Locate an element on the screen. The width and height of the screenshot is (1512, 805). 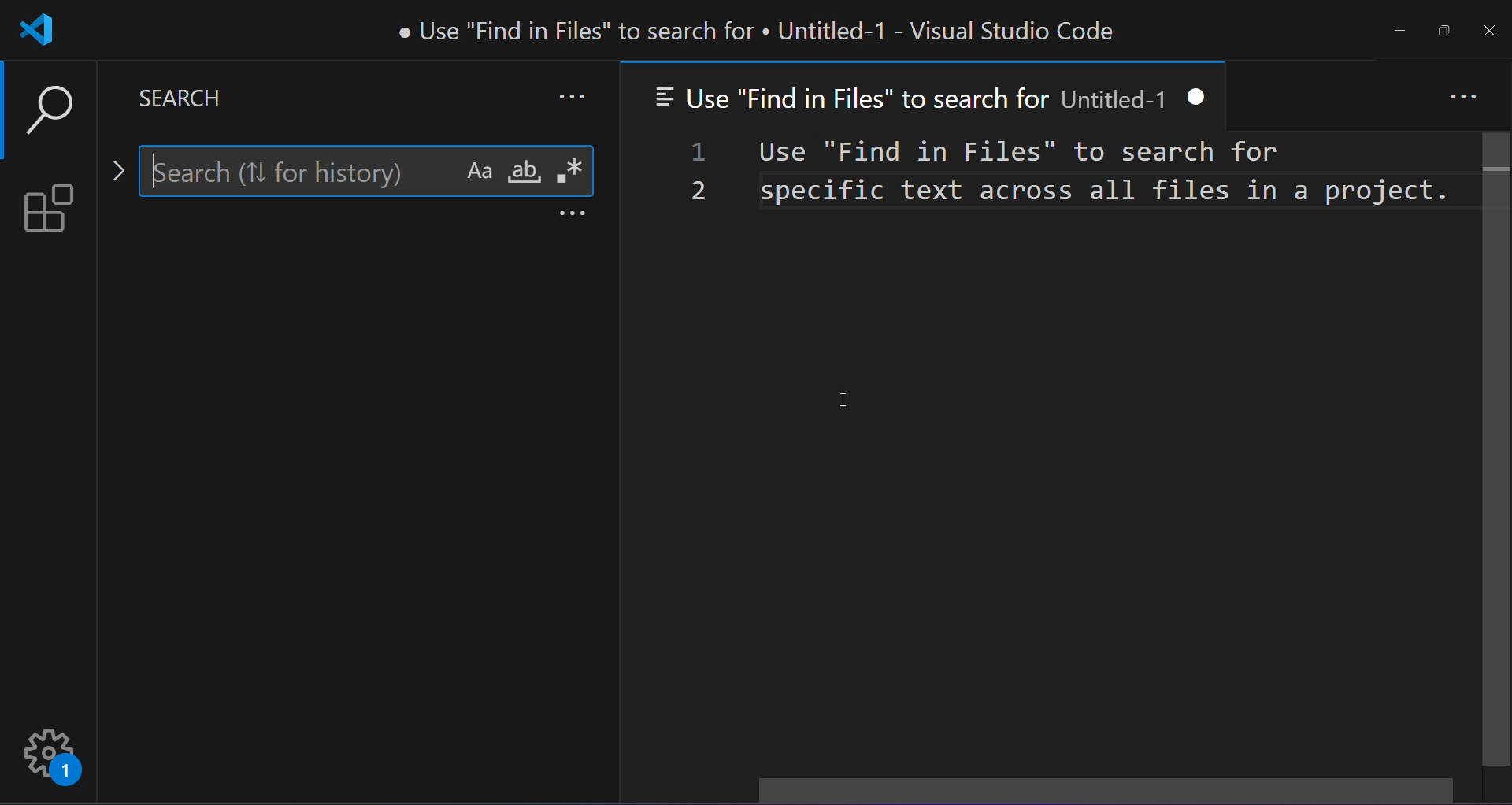
cursor is located at coordinates (846, 399).